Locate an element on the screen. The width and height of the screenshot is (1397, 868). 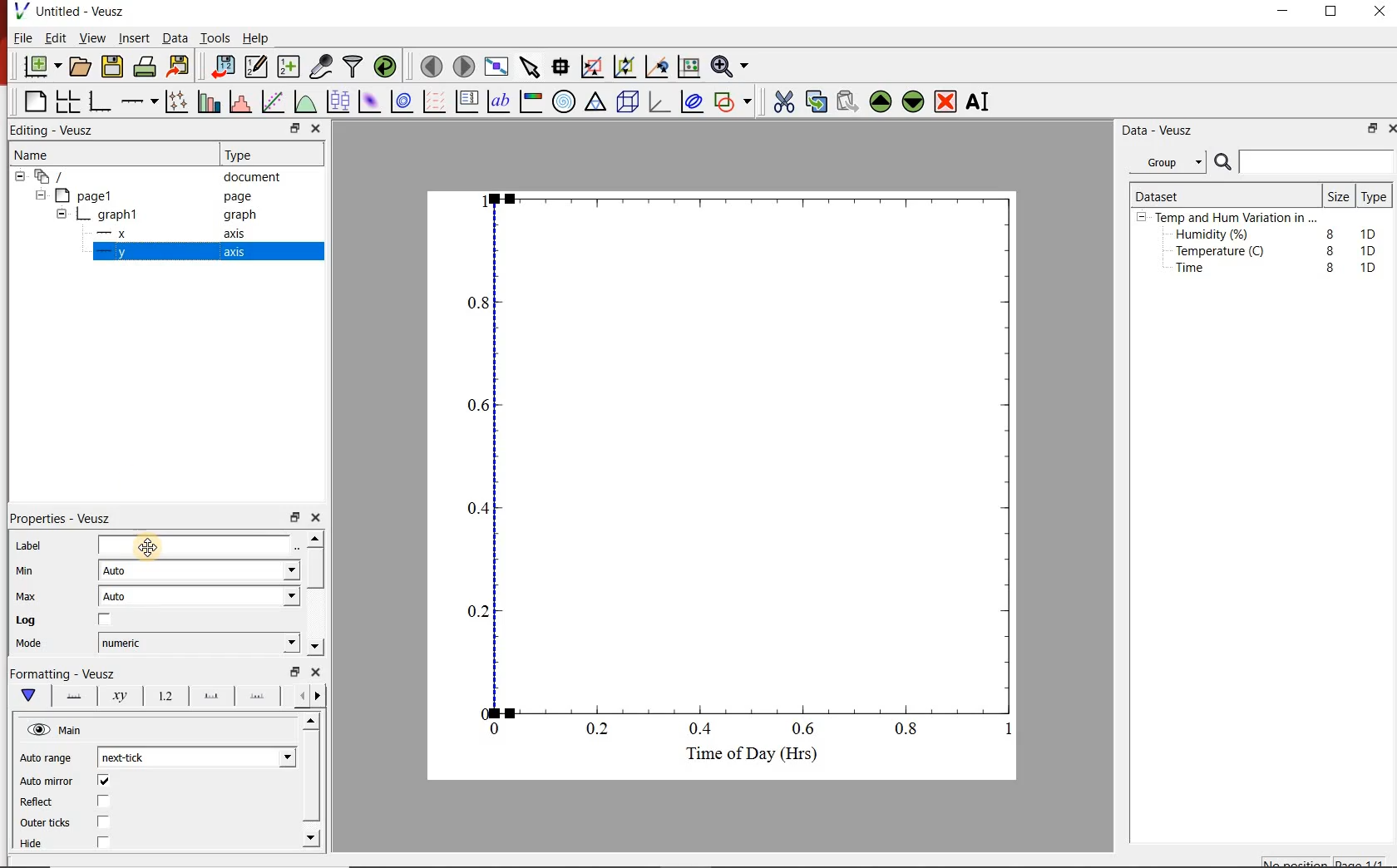
graph is located at coordinates (119, 214).